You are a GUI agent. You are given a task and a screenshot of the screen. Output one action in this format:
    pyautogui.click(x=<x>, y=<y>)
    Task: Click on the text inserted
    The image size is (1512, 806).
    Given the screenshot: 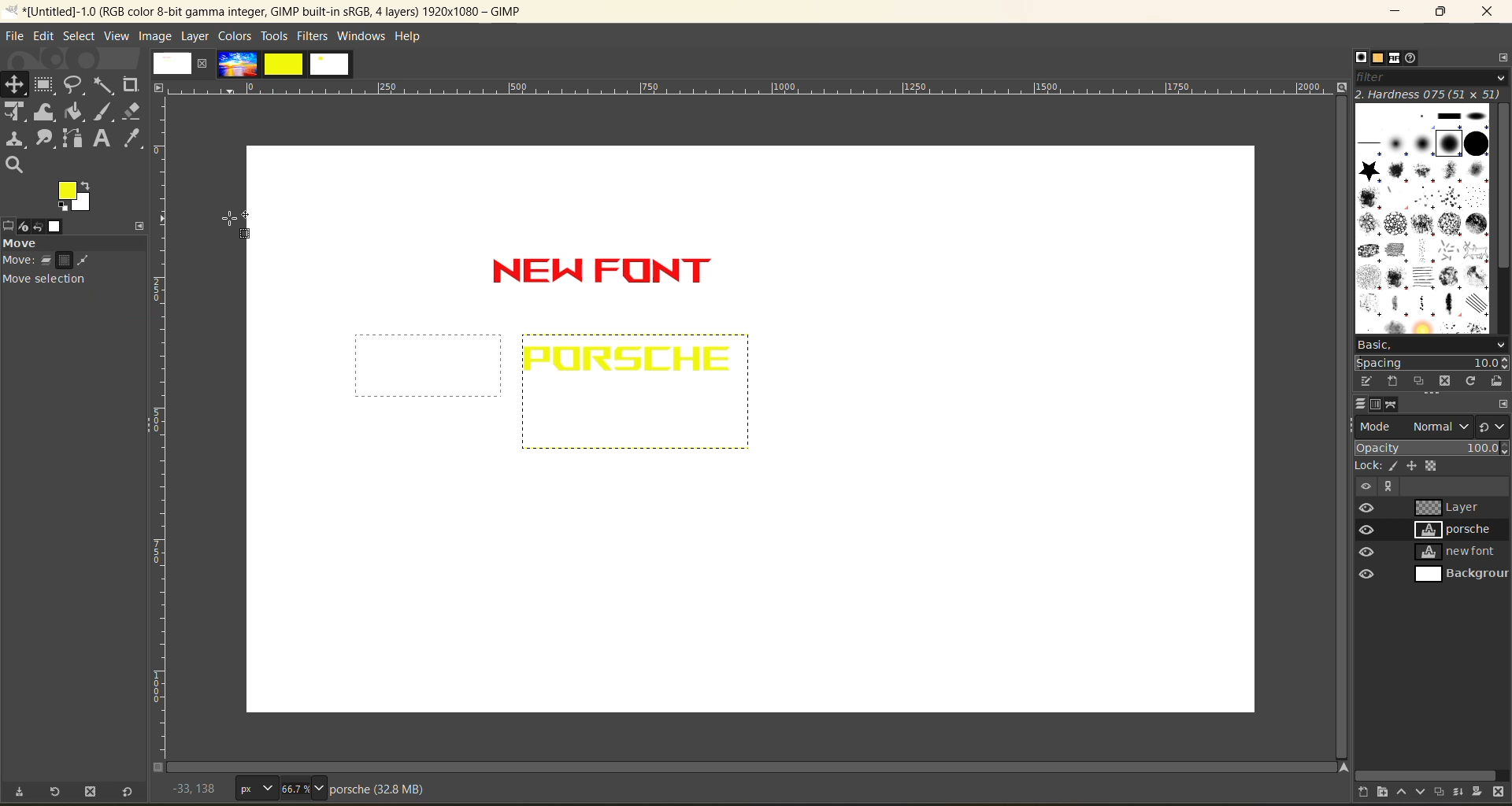 What is the action you would take?
    pyautogui.click(x=622, y=278)
    